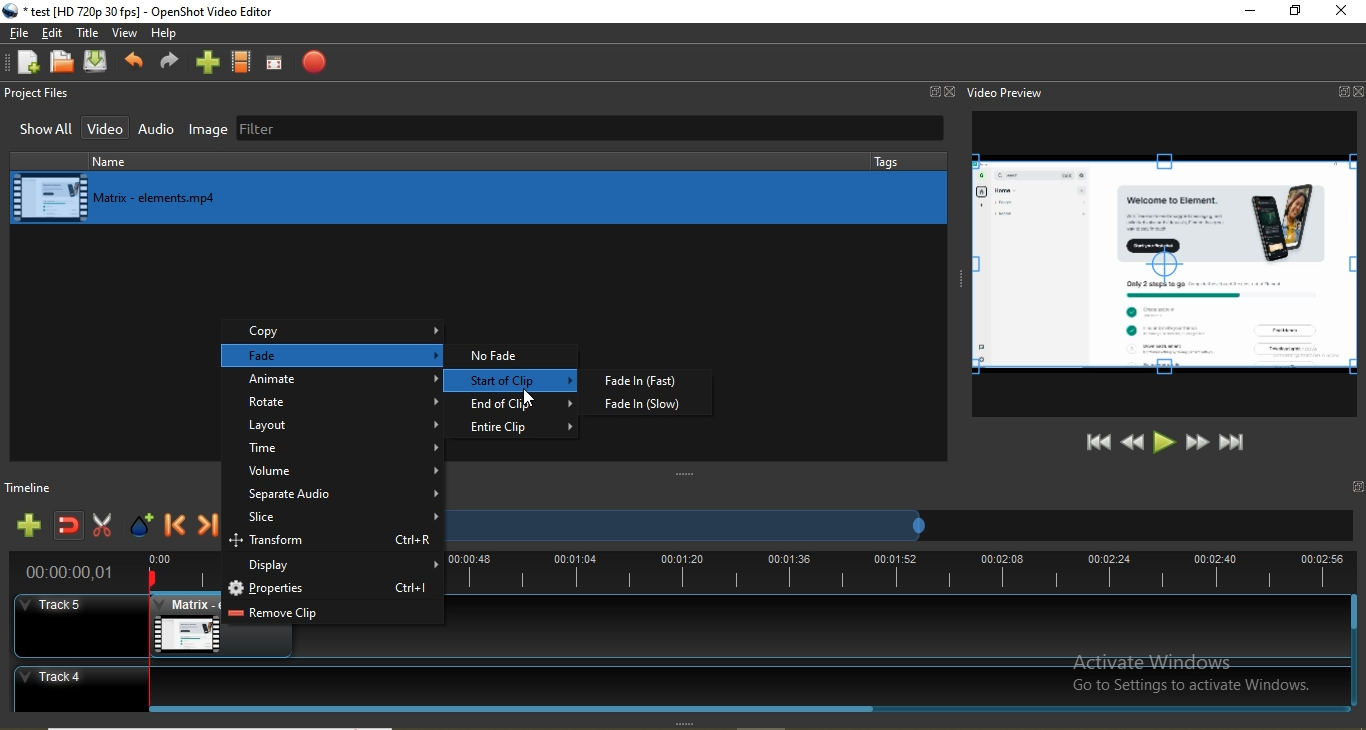 Image resolution: width=1366 pixels, height=730 pixels. I want to click on volume, so click(335, 472).